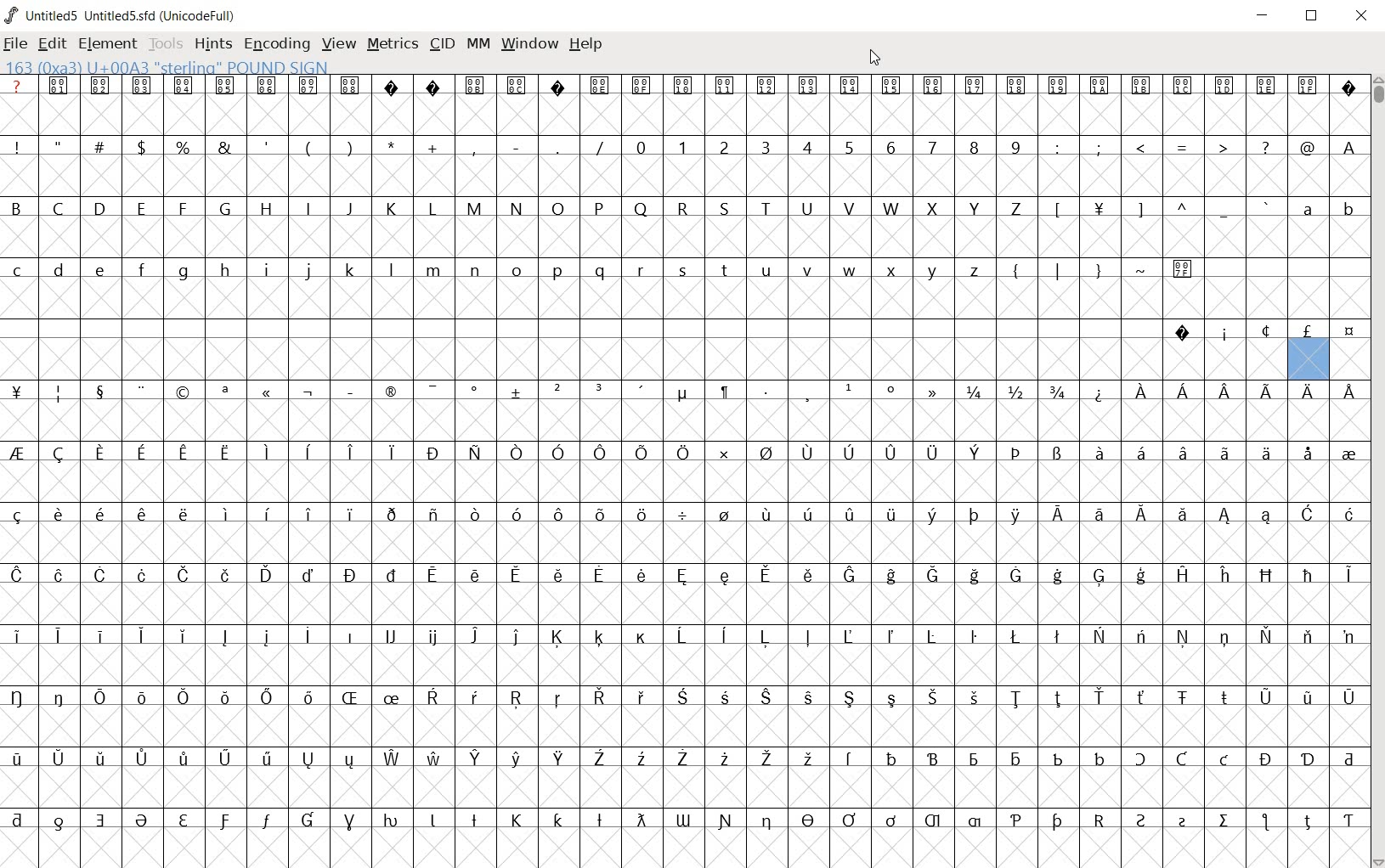 This screenshot has height=868, width=1385. Describe the element at coordinates (514, 759) in the screenshot. I see `Symbol` at that location.